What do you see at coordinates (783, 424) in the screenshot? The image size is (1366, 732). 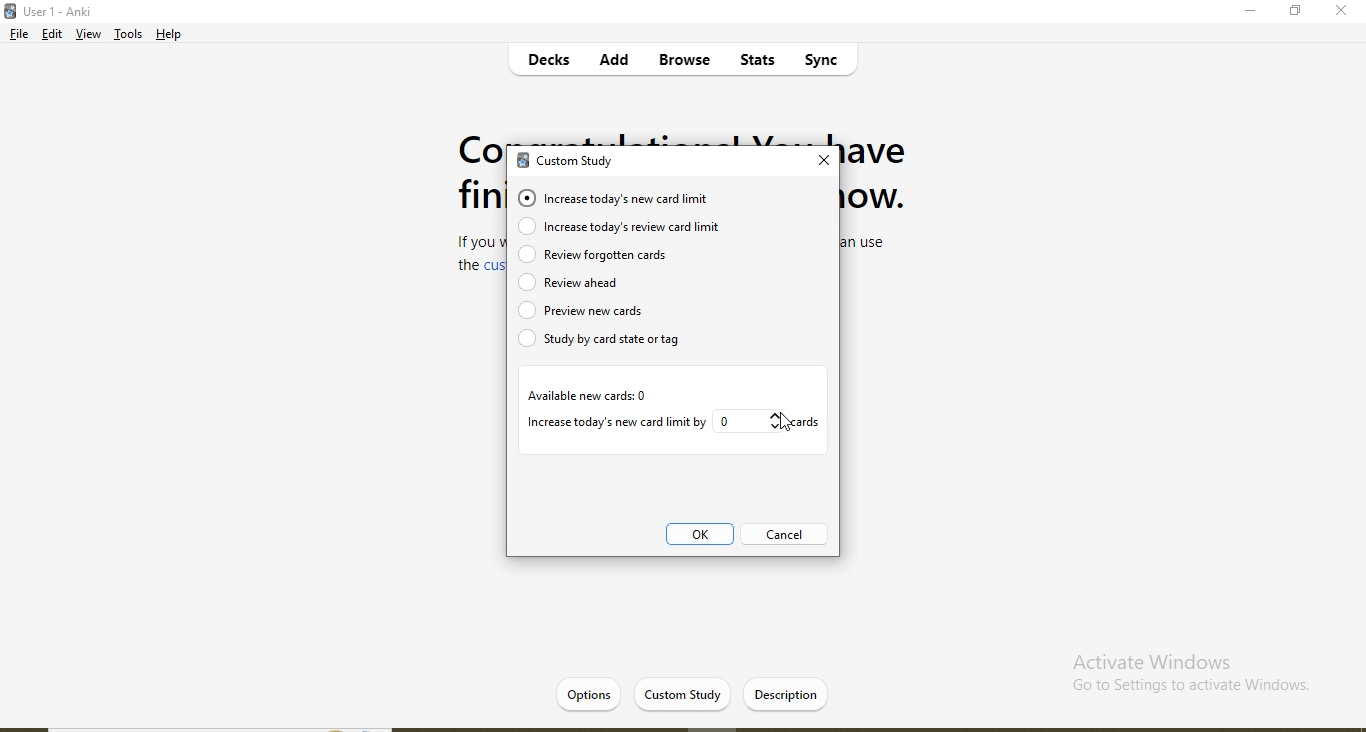 I see `cursor` at bounding box center [783, 424].